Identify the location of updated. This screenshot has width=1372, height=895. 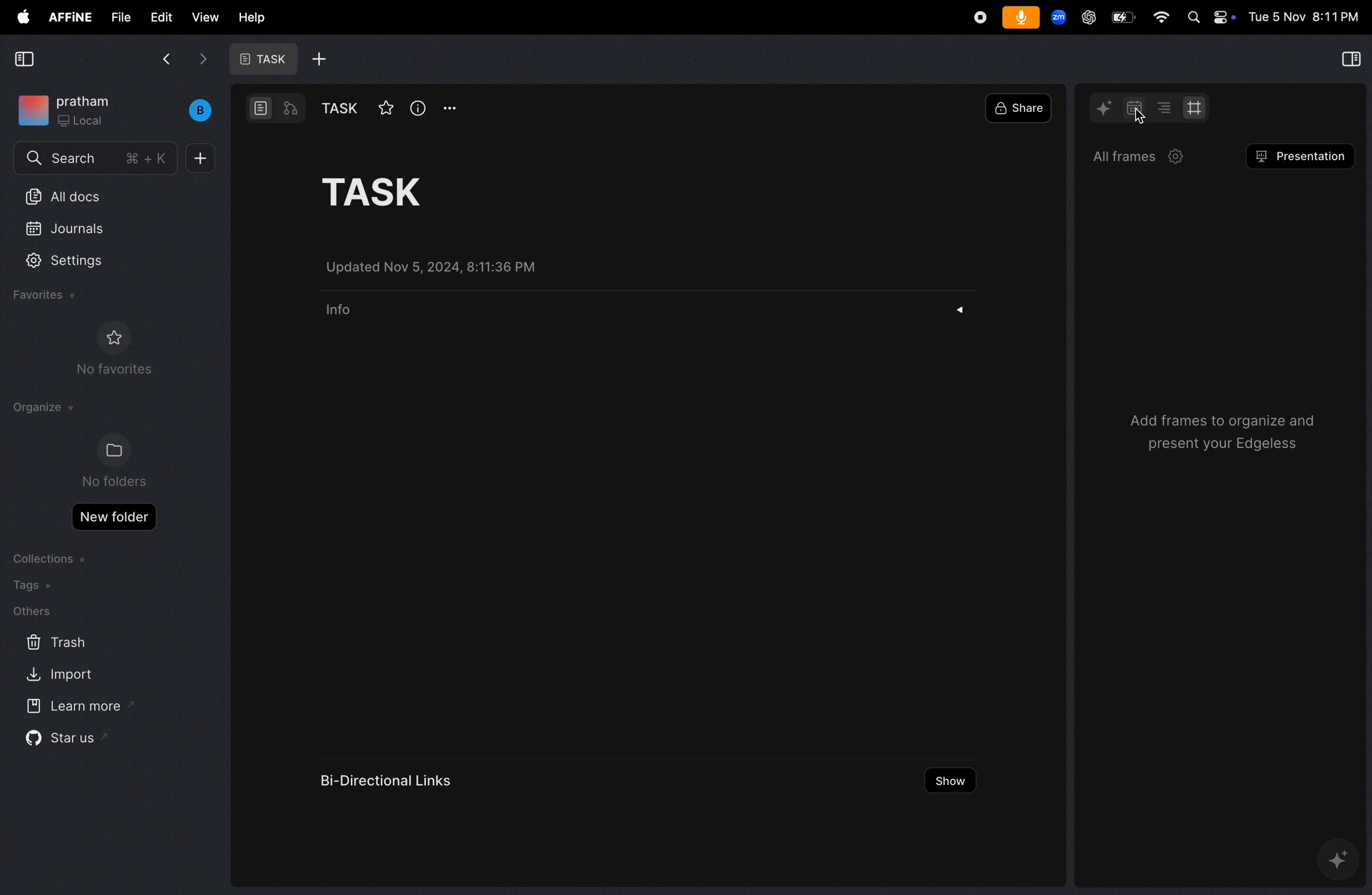
(443, 267).